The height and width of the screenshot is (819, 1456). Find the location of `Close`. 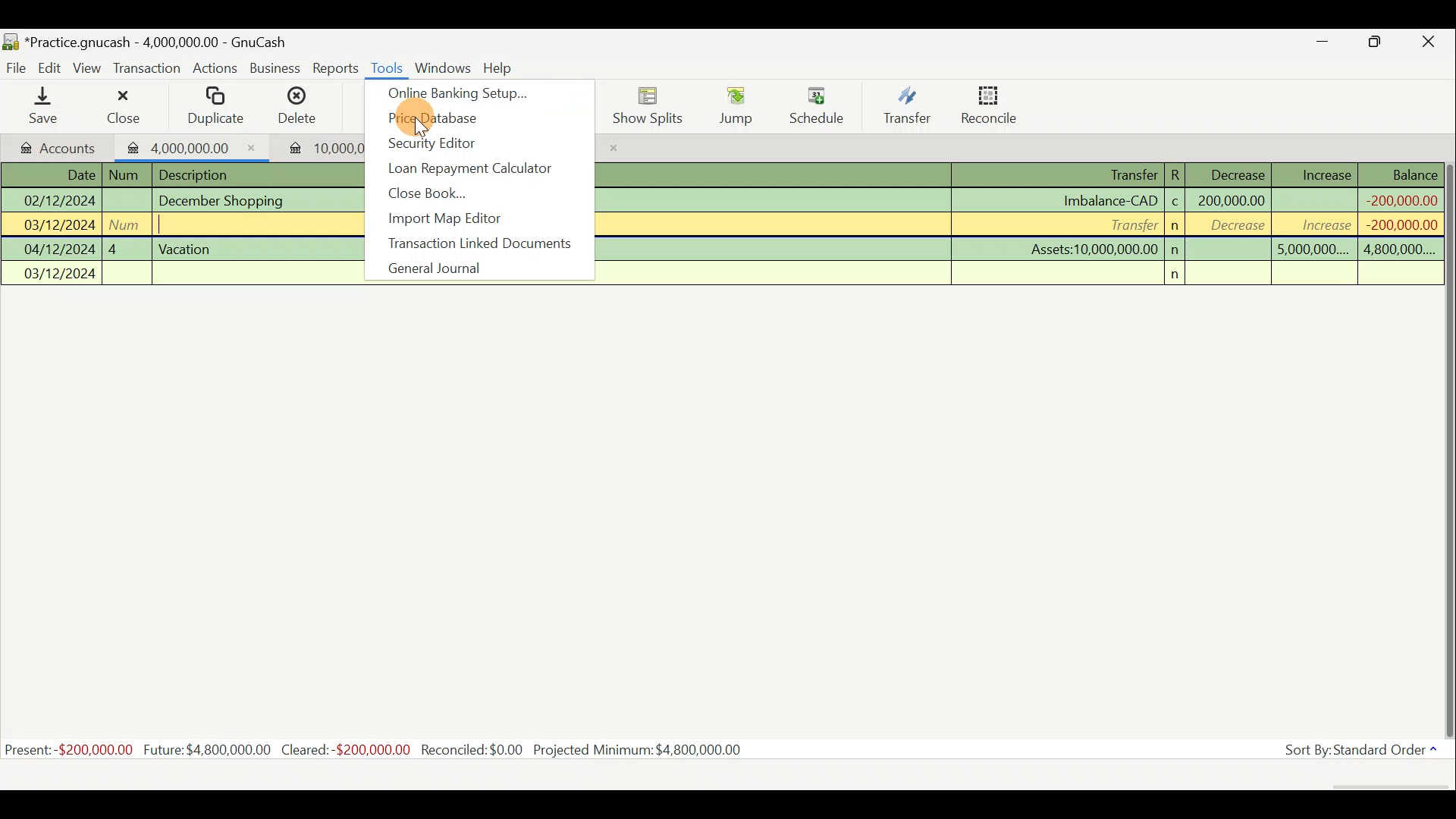

Close is located at coordinates (1433, 42).